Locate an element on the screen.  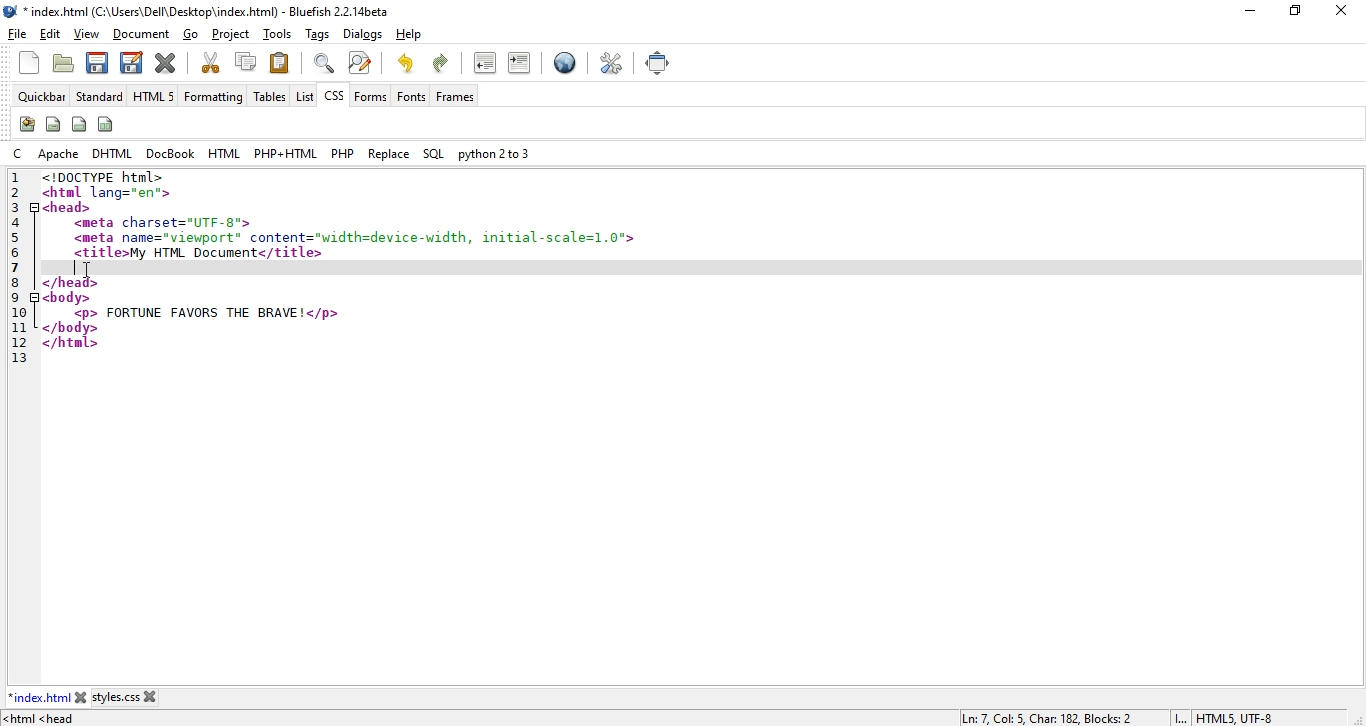
12 is located at coordinates (15, 341).